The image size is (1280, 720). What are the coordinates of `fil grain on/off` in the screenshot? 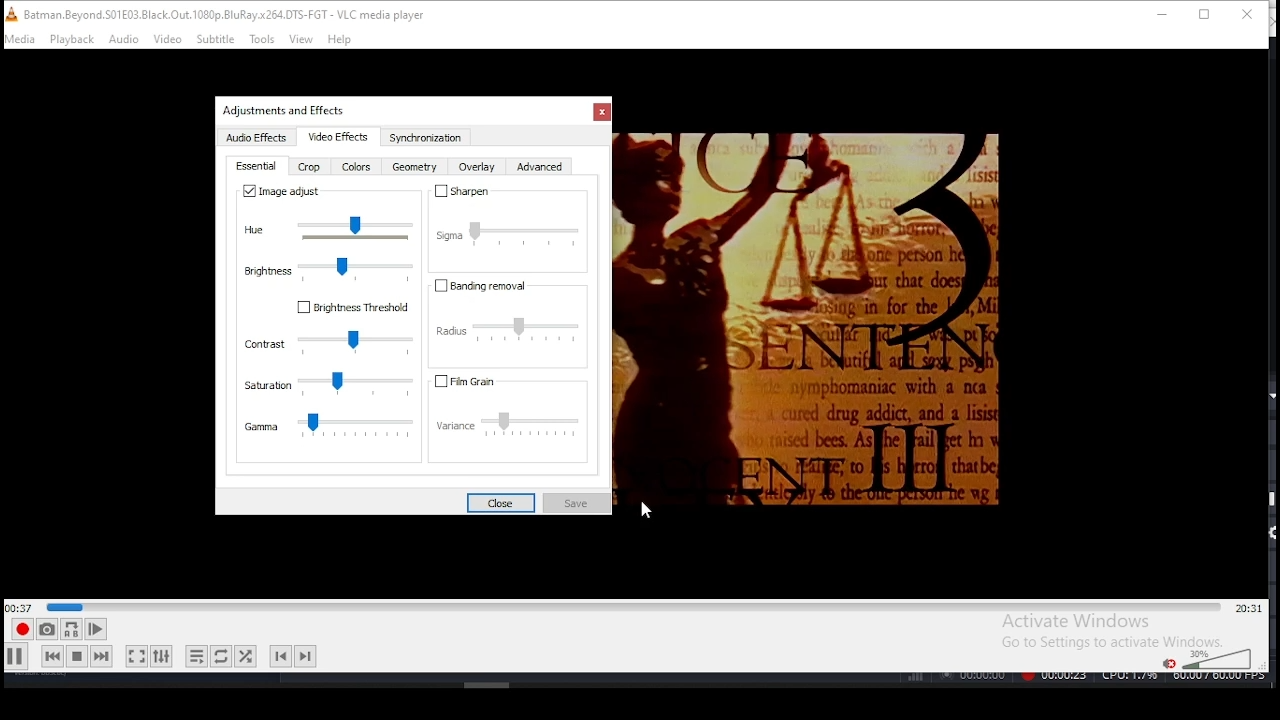 It's located at (487, 381).